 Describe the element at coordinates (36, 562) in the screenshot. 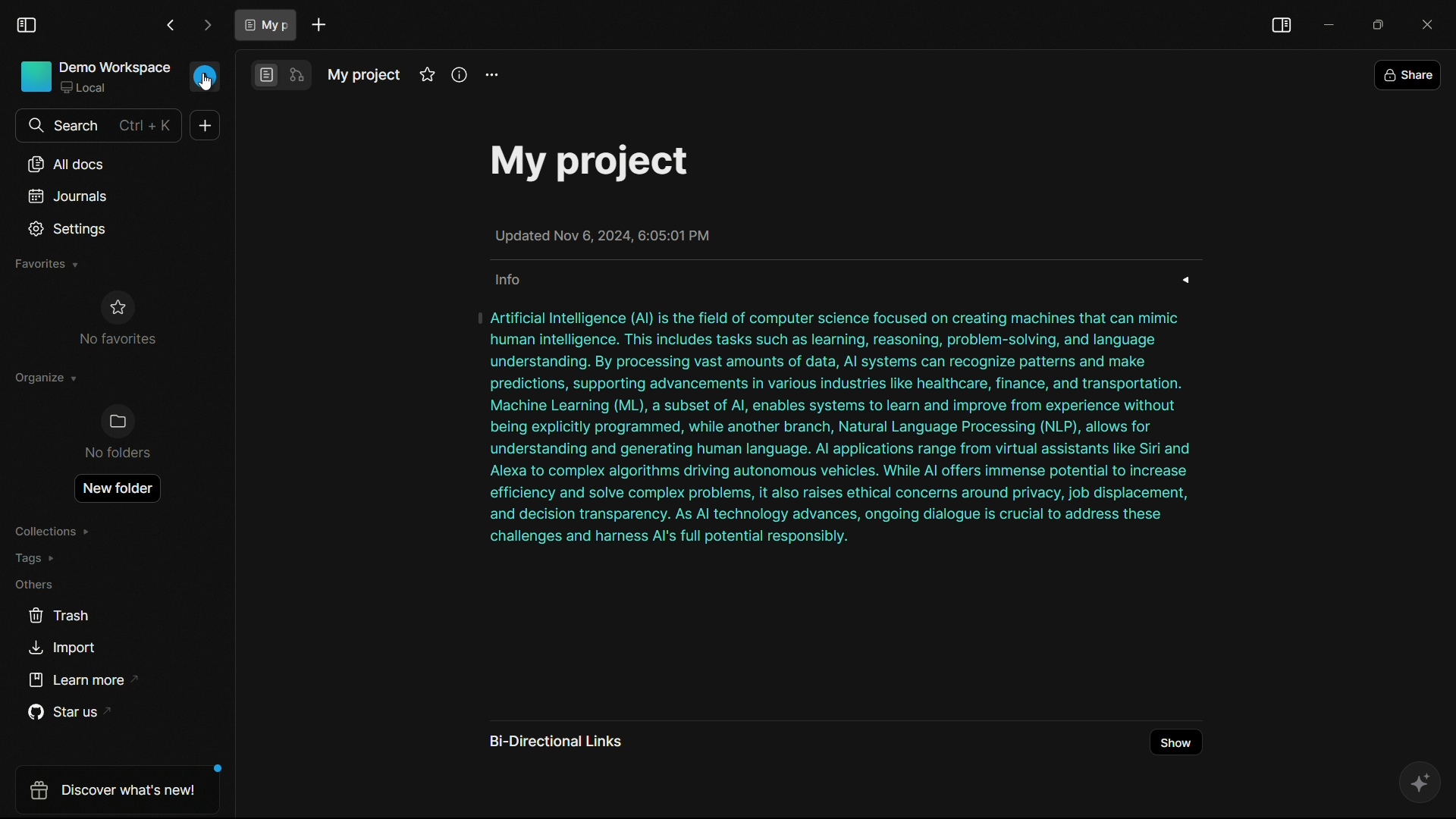

I see `tags` at that location.